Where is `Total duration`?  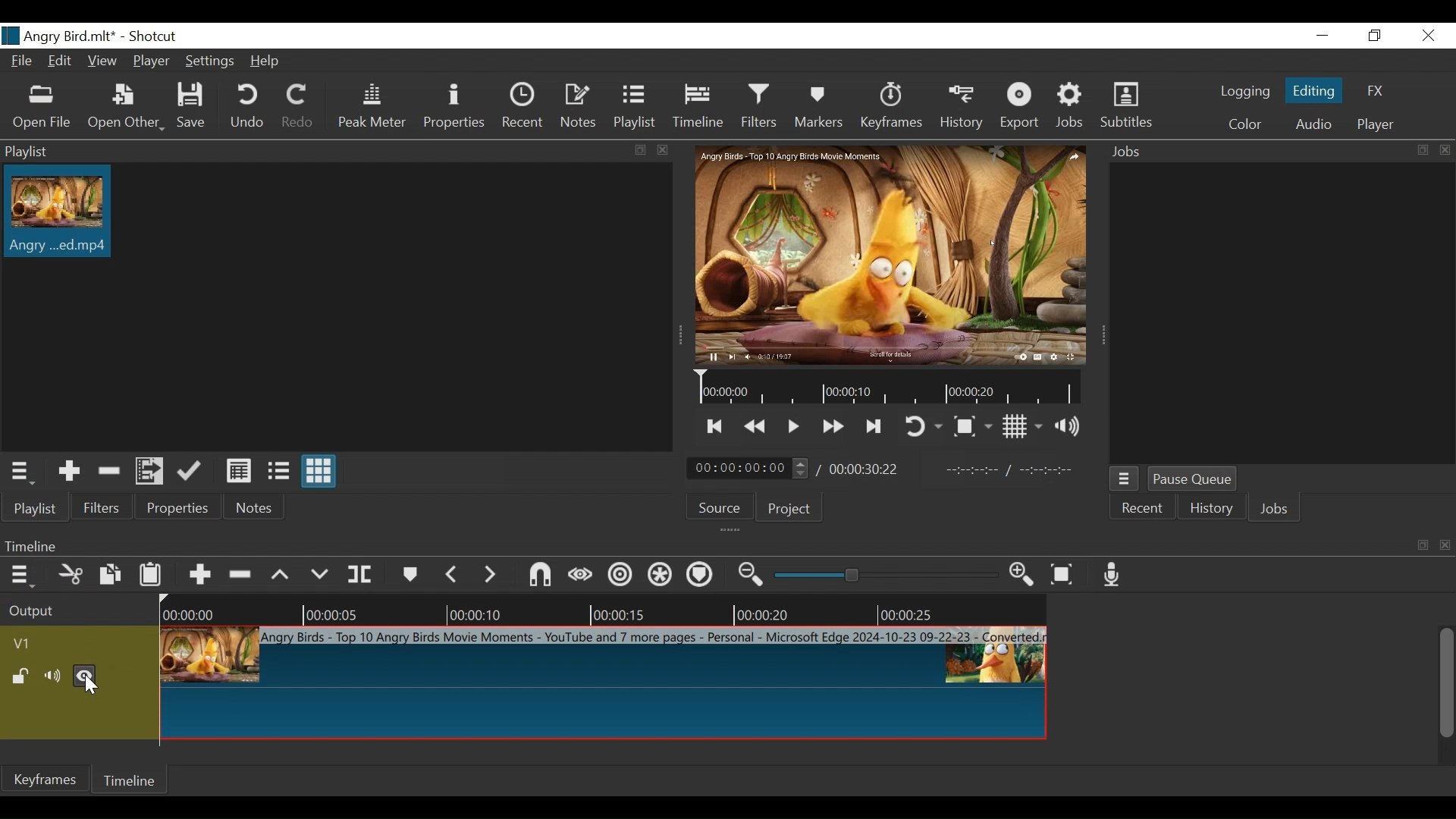 Total duration is located at coordinates (868, 469).